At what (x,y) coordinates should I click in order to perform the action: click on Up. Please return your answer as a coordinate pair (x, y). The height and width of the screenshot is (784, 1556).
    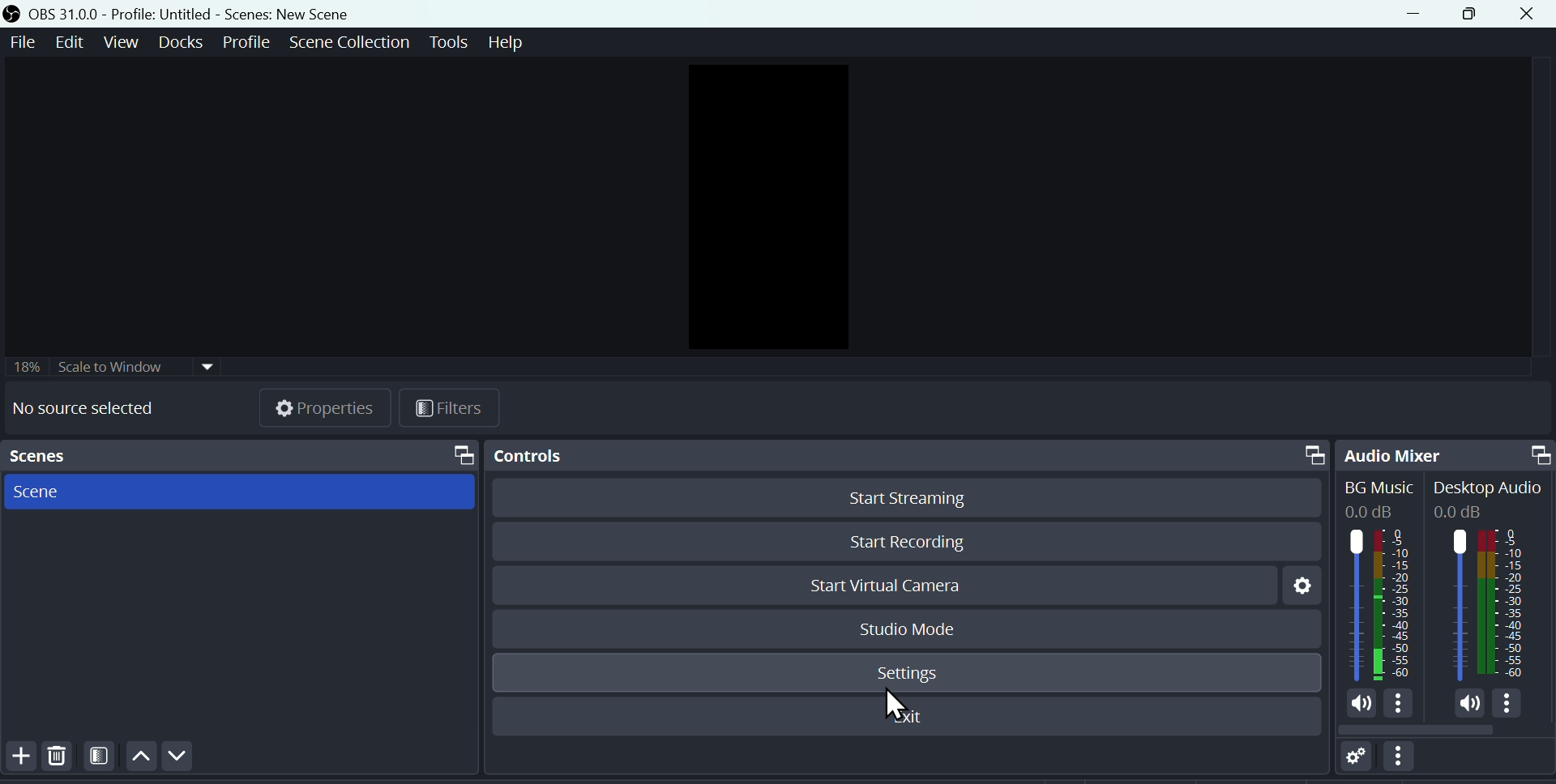
    Looking at the image, I should click on (143, 761).